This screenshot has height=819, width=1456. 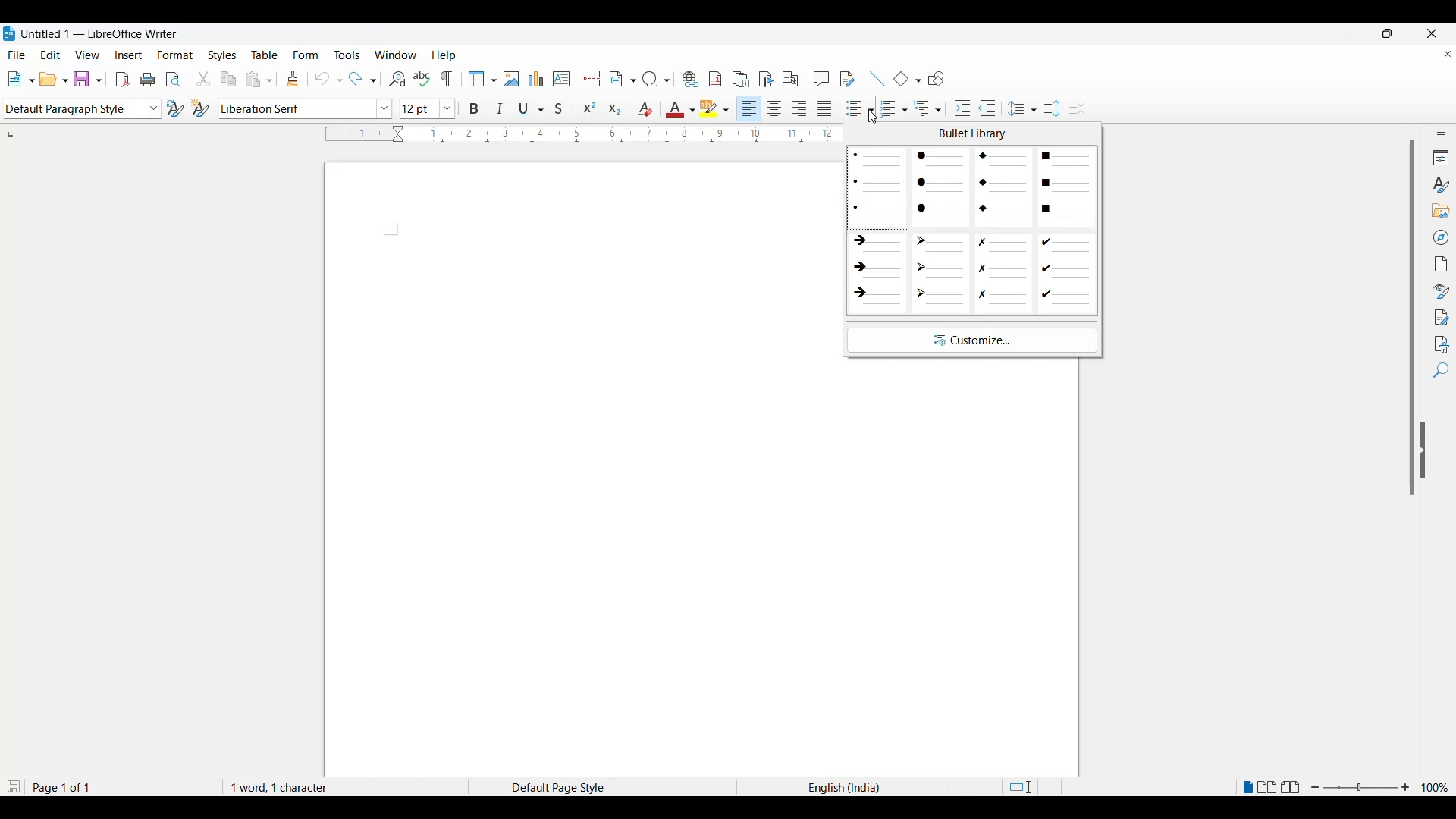 What do you see at coordinates (894, 108) in the screenshot?
I see `Selected toggle ordered list` at bounding box center [894, 108].